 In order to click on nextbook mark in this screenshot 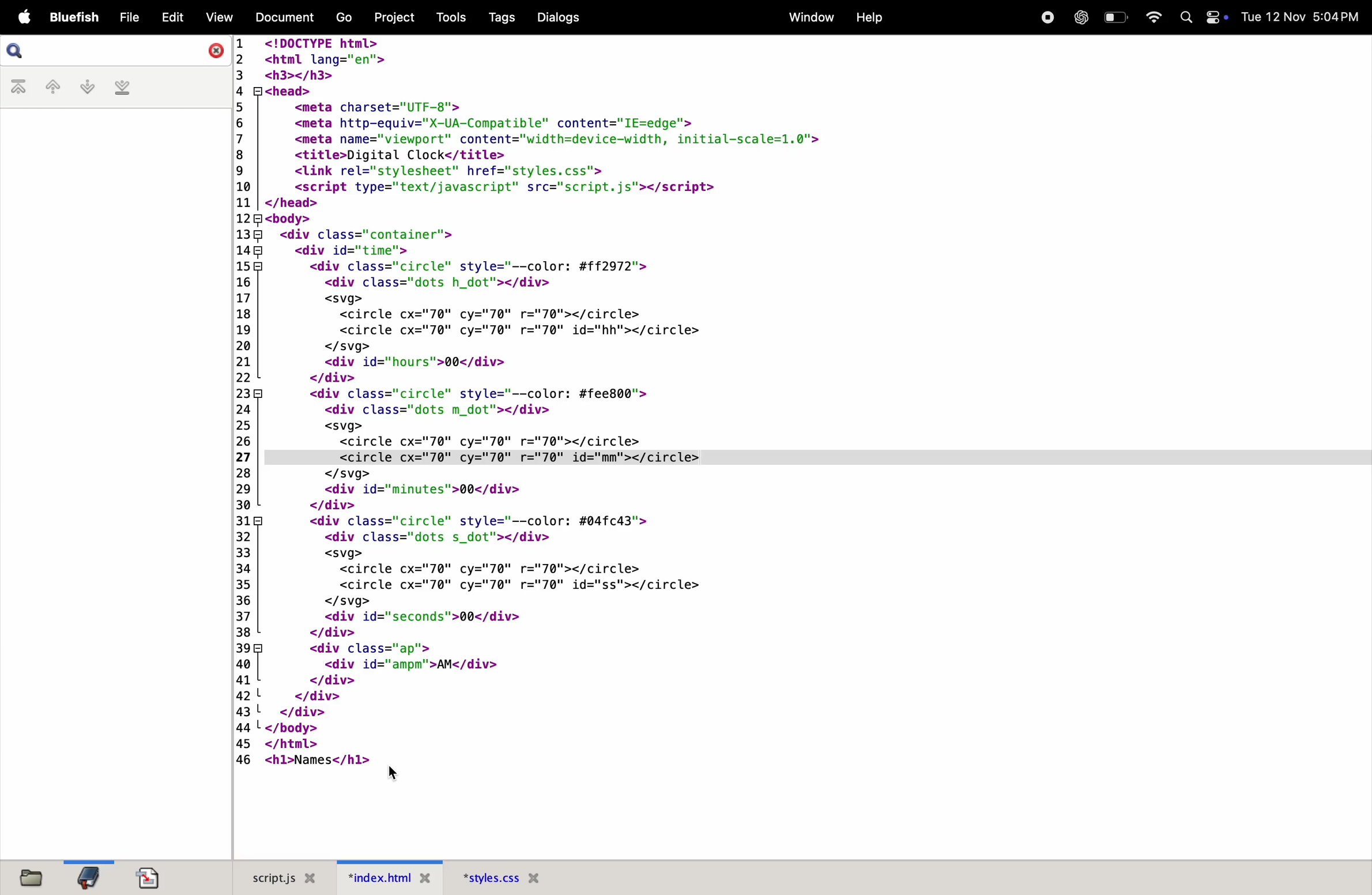, I will do `click(86, 86)`.